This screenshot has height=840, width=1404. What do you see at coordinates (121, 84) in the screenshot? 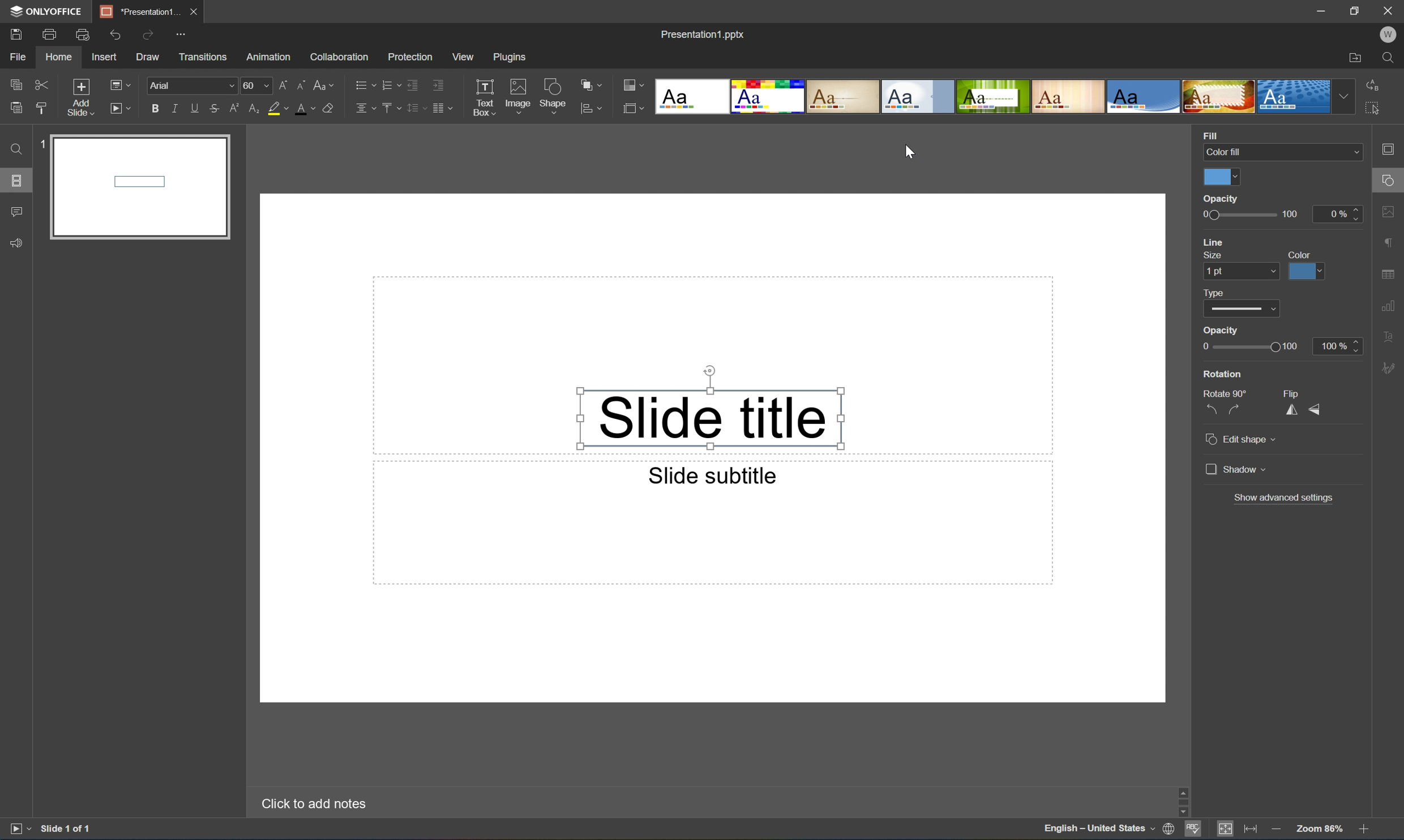
I see `Change slide layout` at bounding box center [121, 84].